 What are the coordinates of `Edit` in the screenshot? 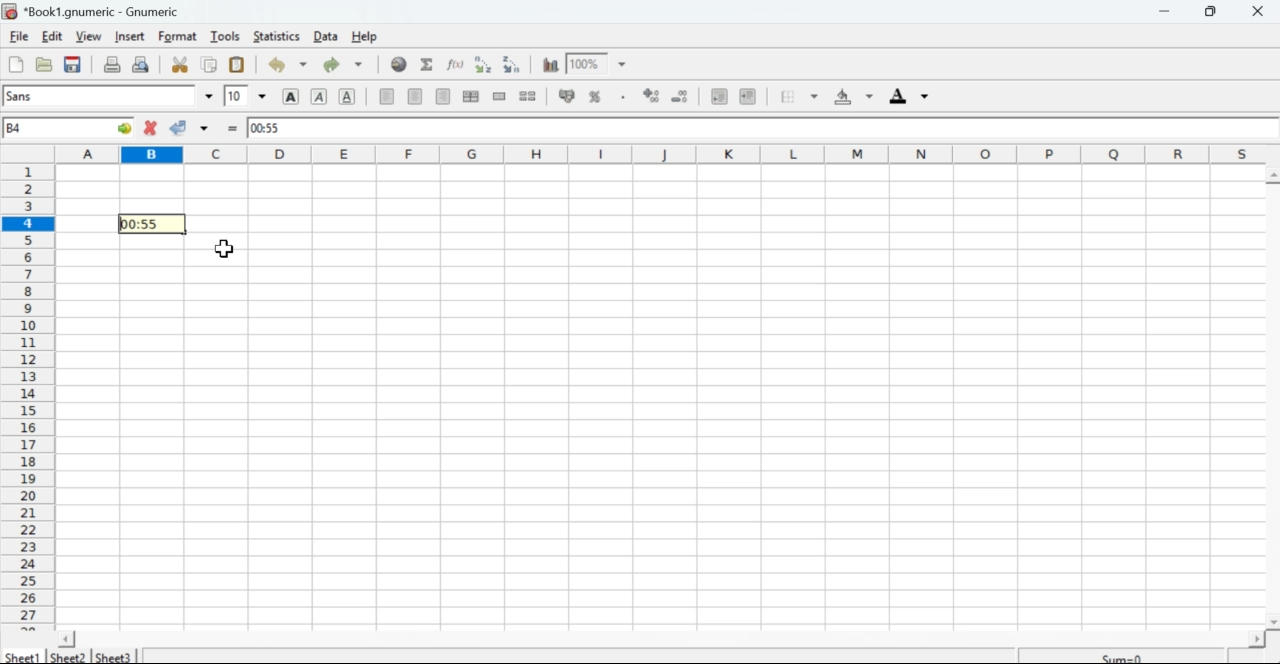 It's located at (53, 36).